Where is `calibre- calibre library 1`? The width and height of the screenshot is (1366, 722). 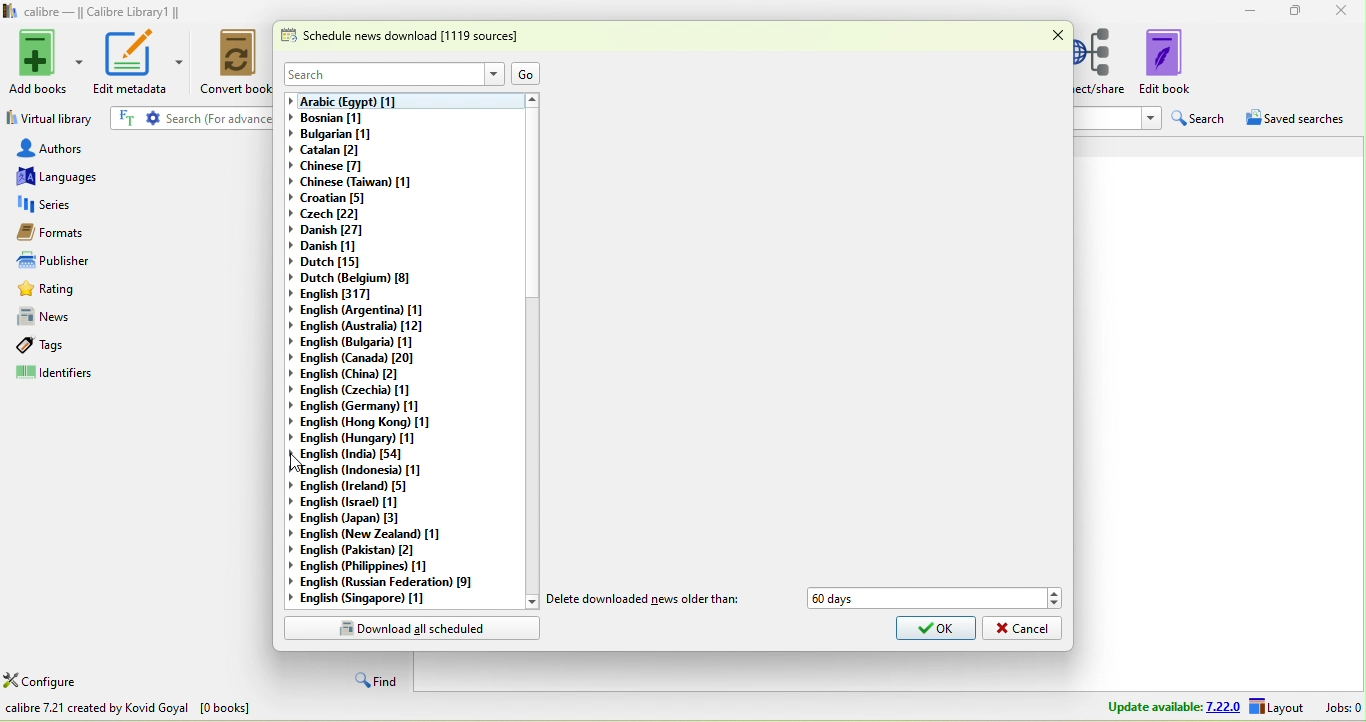 calibre- calibre library 1 is located at coordinates (103, 13).